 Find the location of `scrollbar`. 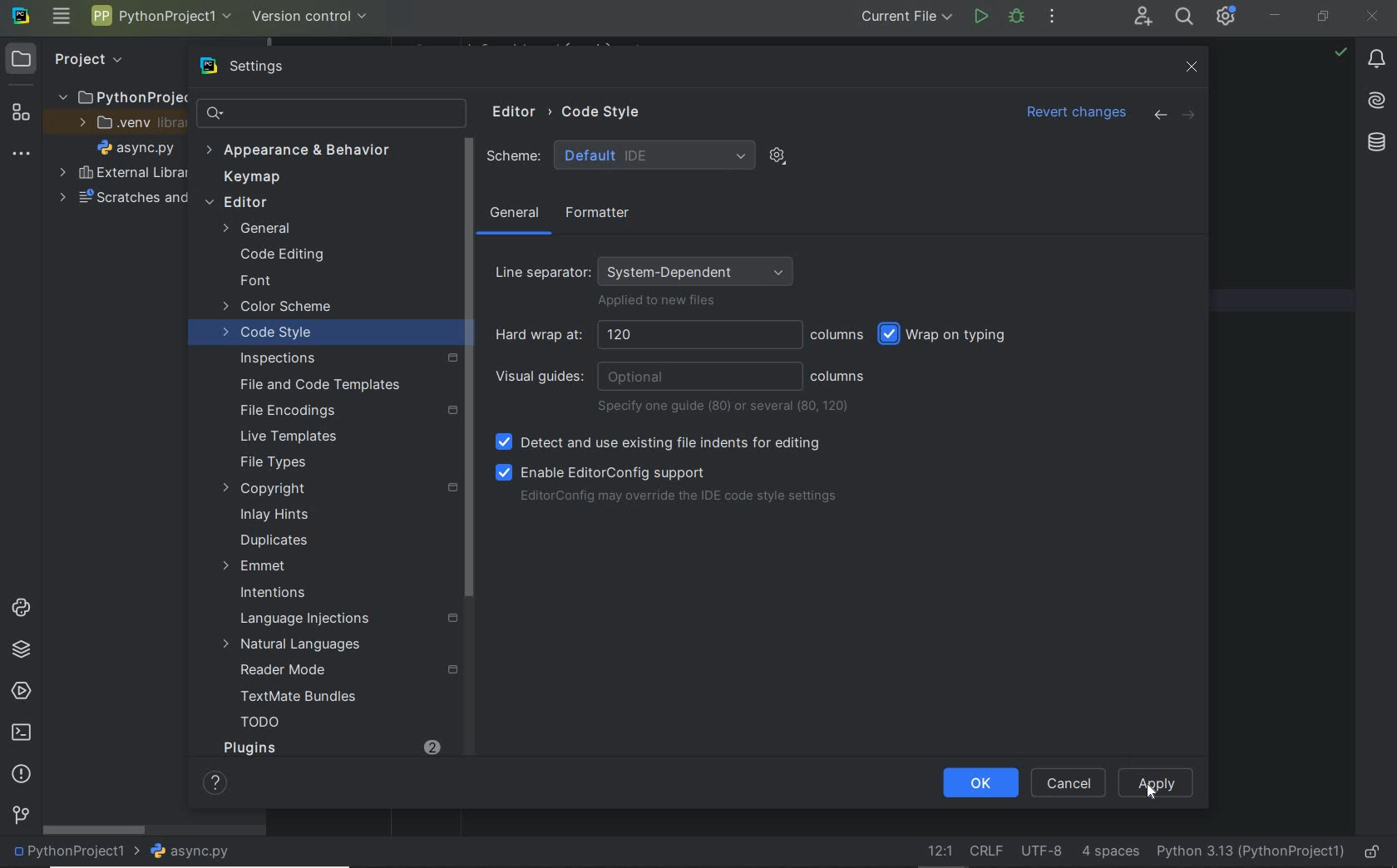

scrollbar is located at coordinates (96, 831).